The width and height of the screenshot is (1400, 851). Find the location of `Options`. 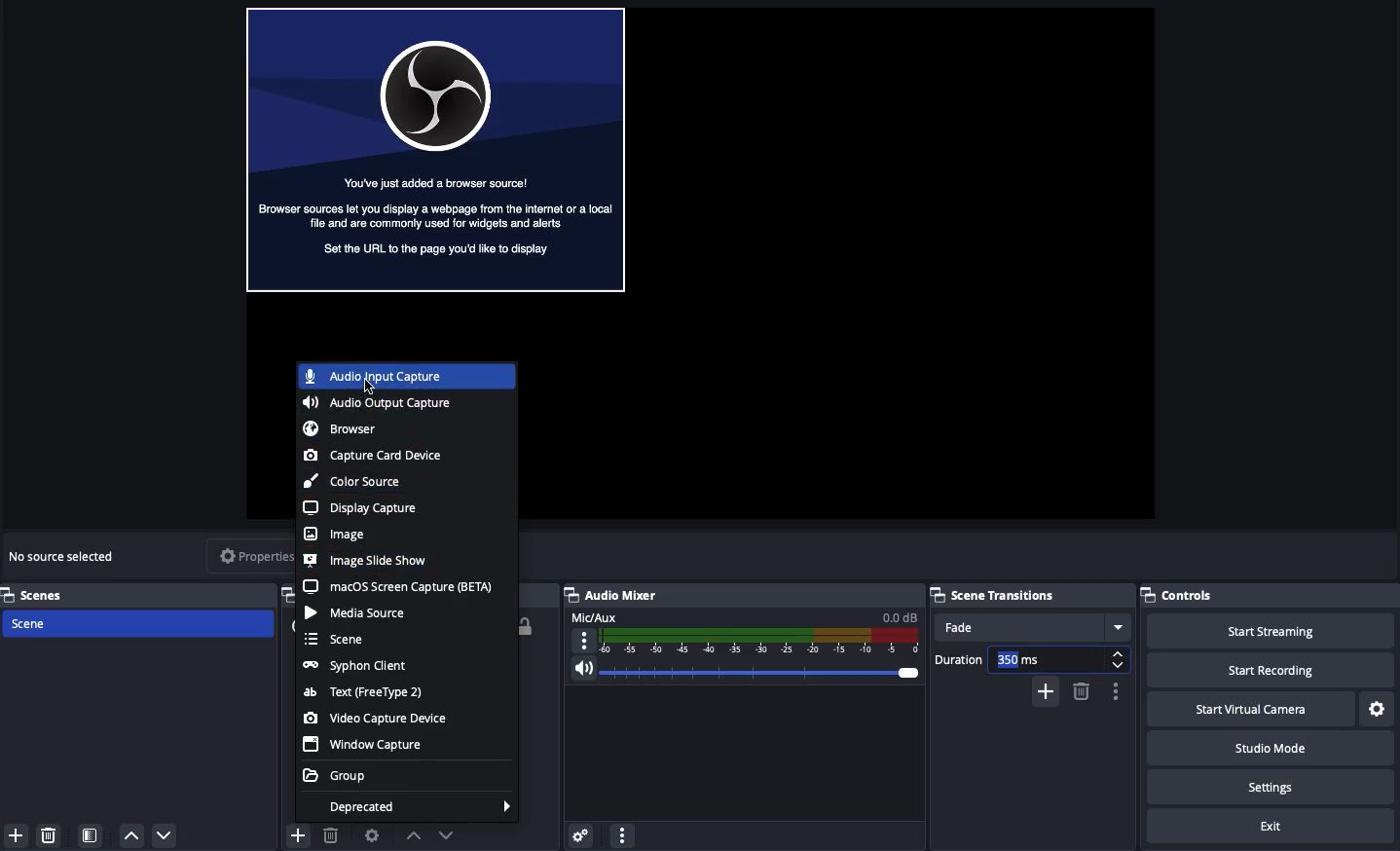

Options is located at coordinates (622, 832).